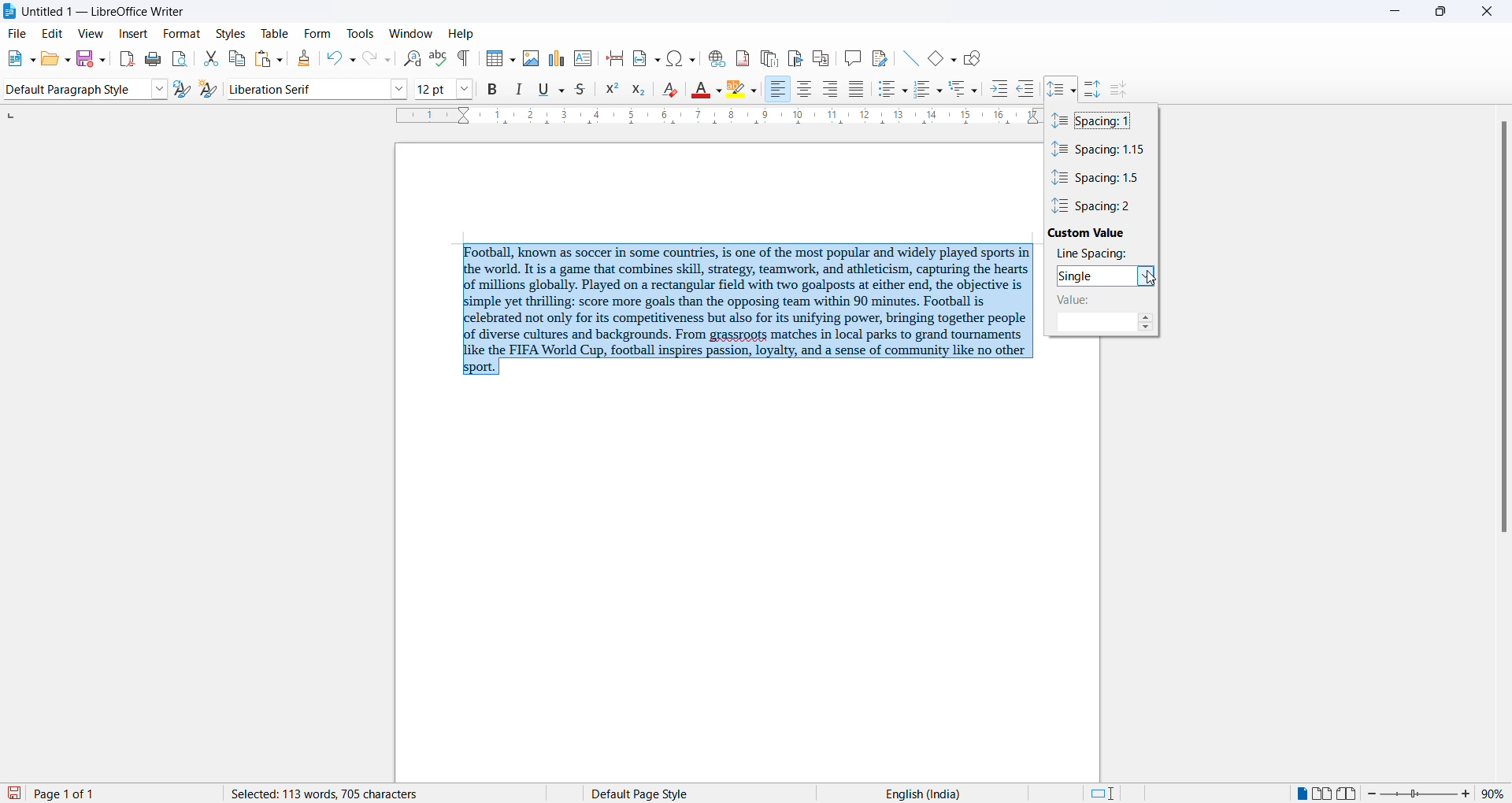 The image size is (1512, 803). I want to click on toggle unordered list, so click(886, 91).